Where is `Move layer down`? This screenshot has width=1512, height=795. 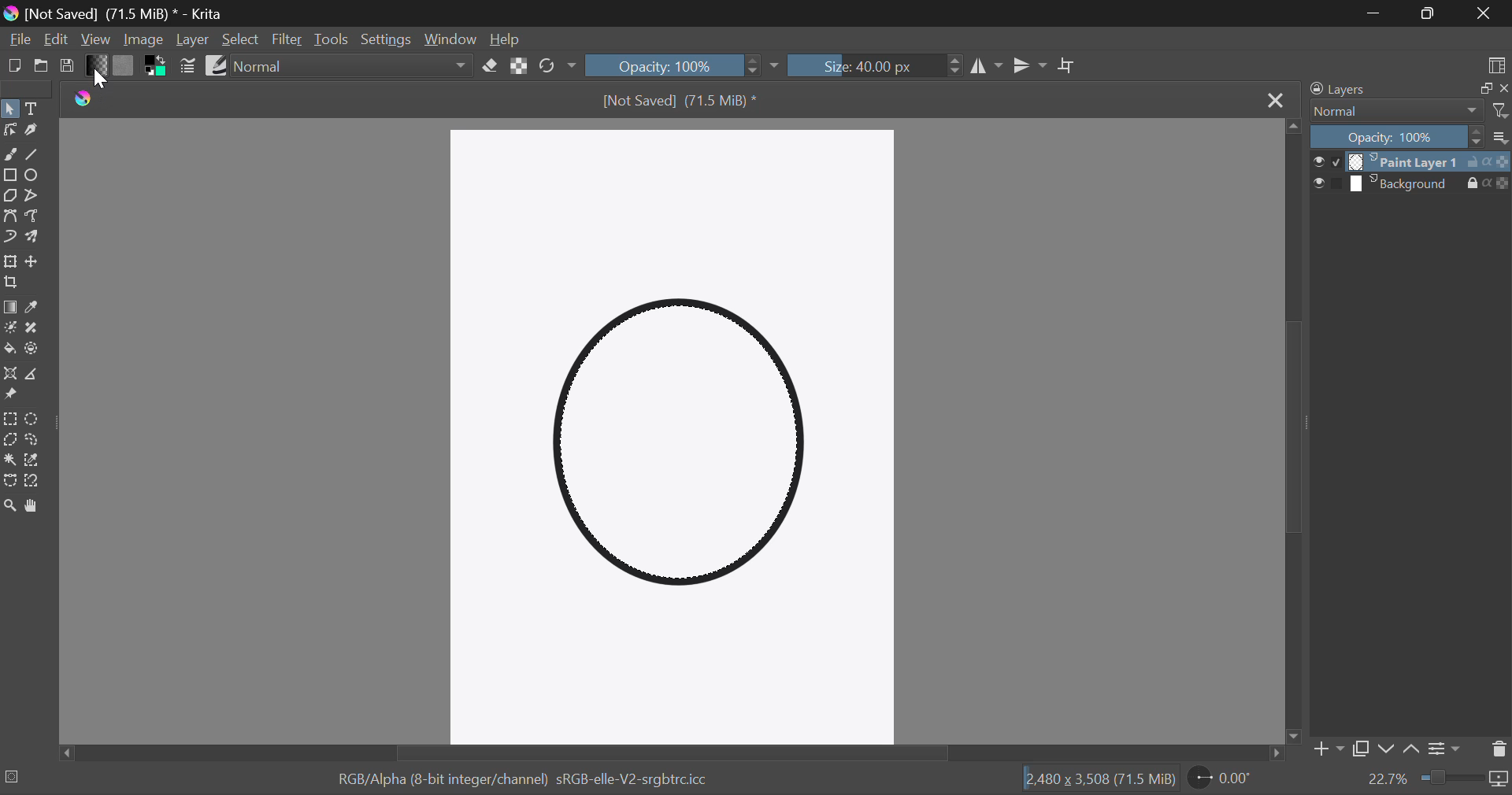 Move layer down is located at coordinates (1387, 751).